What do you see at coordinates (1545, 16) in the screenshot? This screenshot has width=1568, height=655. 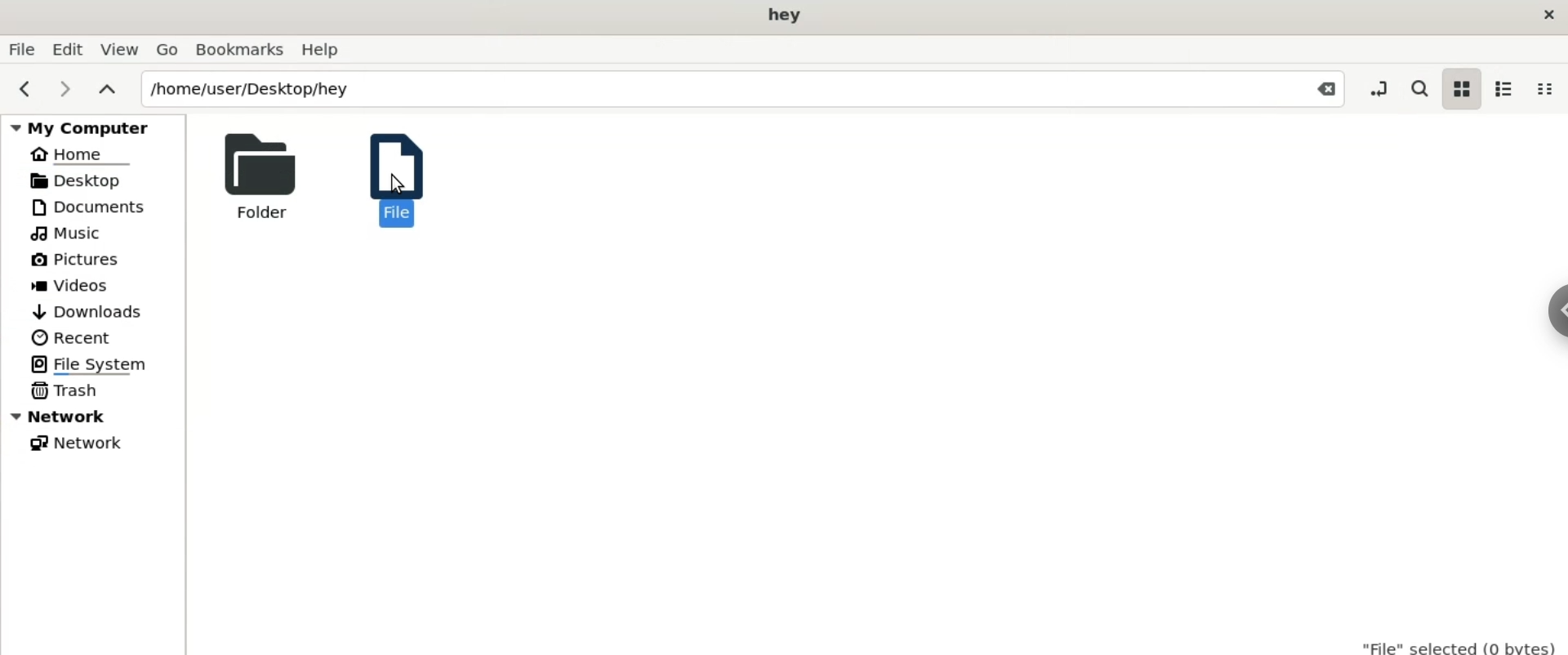 I see `close` at bounding box center [1545, 16].